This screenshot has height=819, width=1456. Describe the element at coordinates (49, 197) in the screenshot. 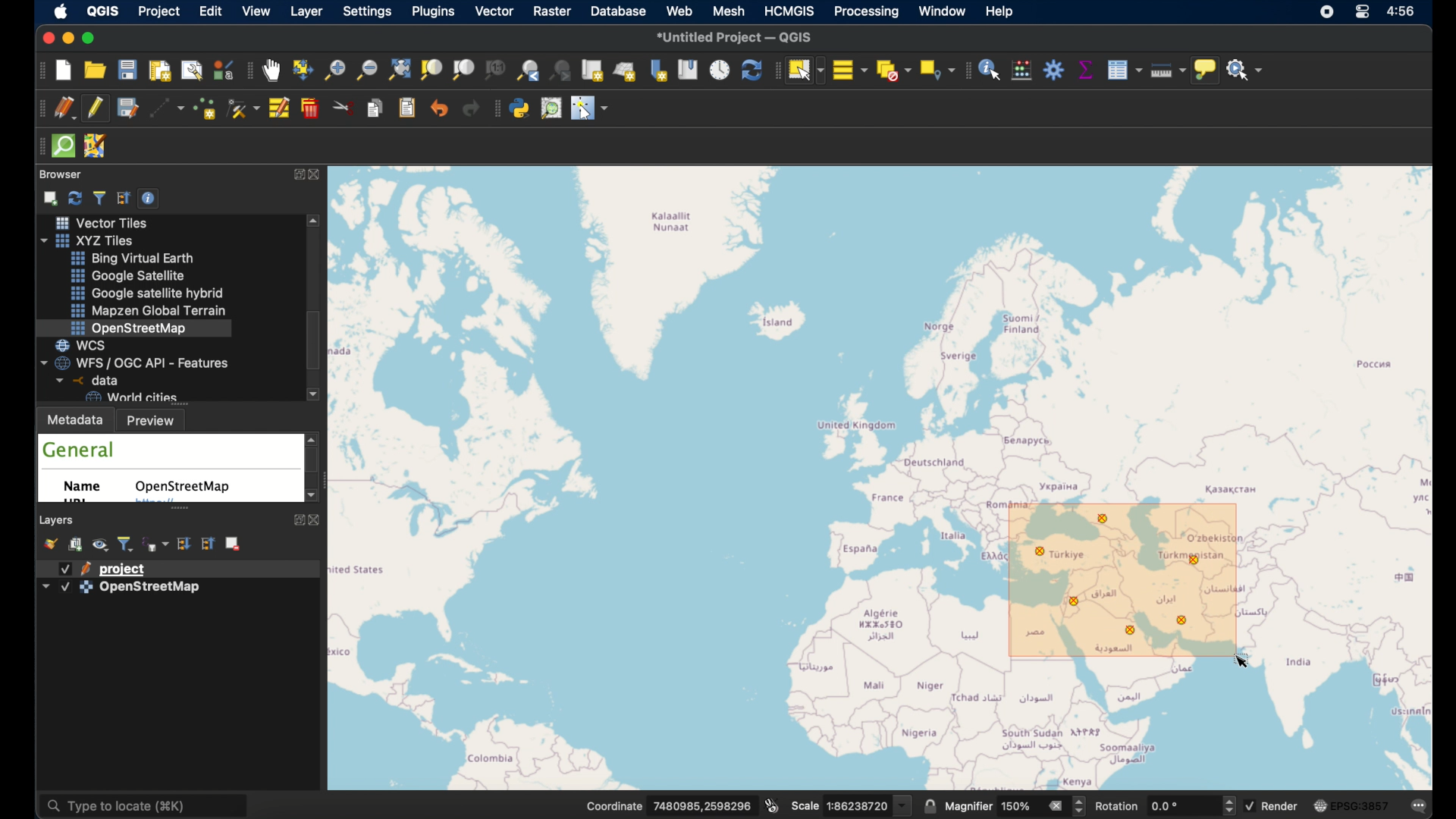

I see `add selected layers` at that location.